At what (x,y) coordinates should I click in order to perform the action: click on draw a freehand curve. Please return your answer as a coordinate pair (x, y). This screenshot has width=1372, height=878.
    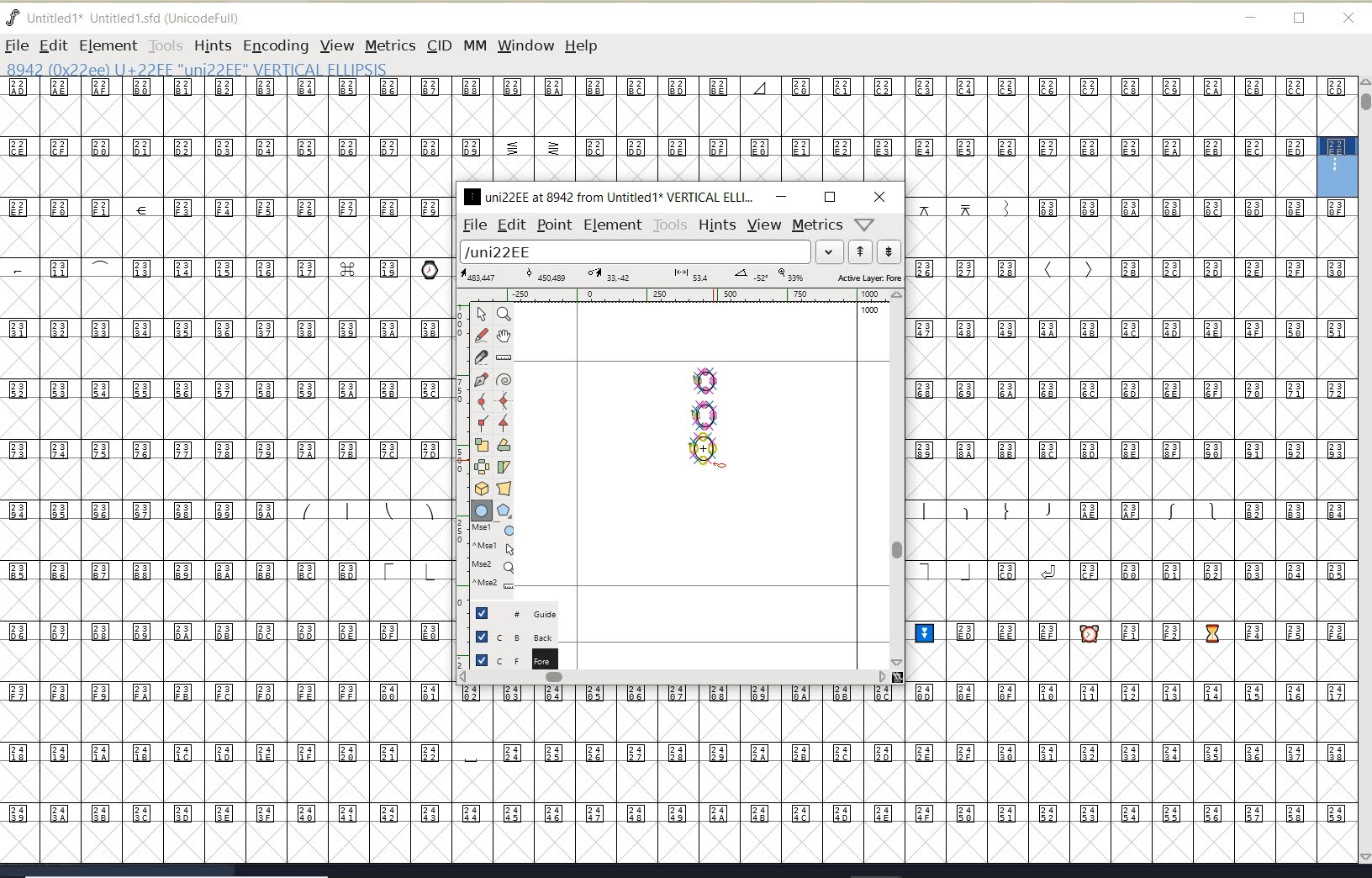
    Looking at the image, I should click on (483, 335).